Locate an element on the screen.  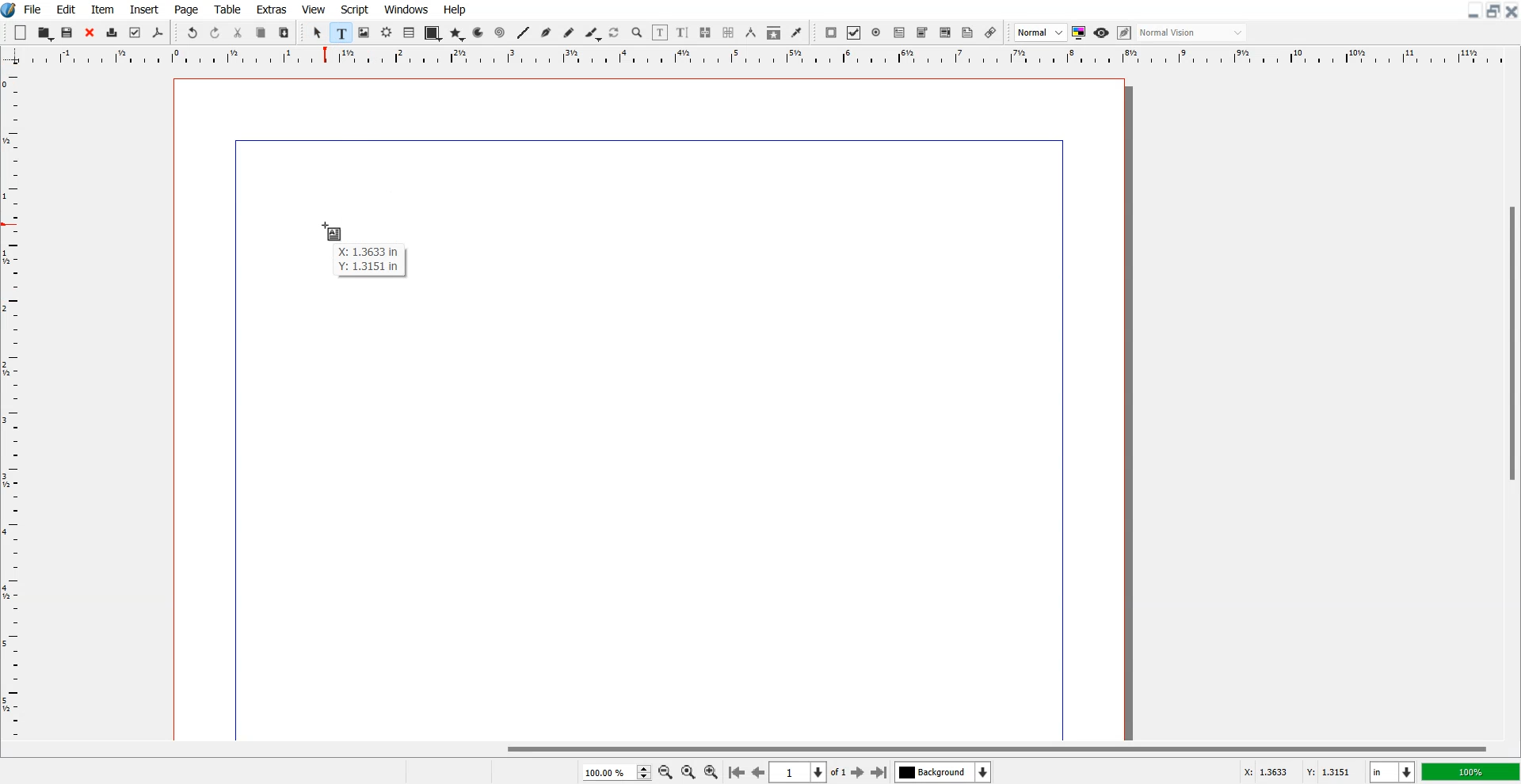
Render frame is located at coordinates (387, 32).